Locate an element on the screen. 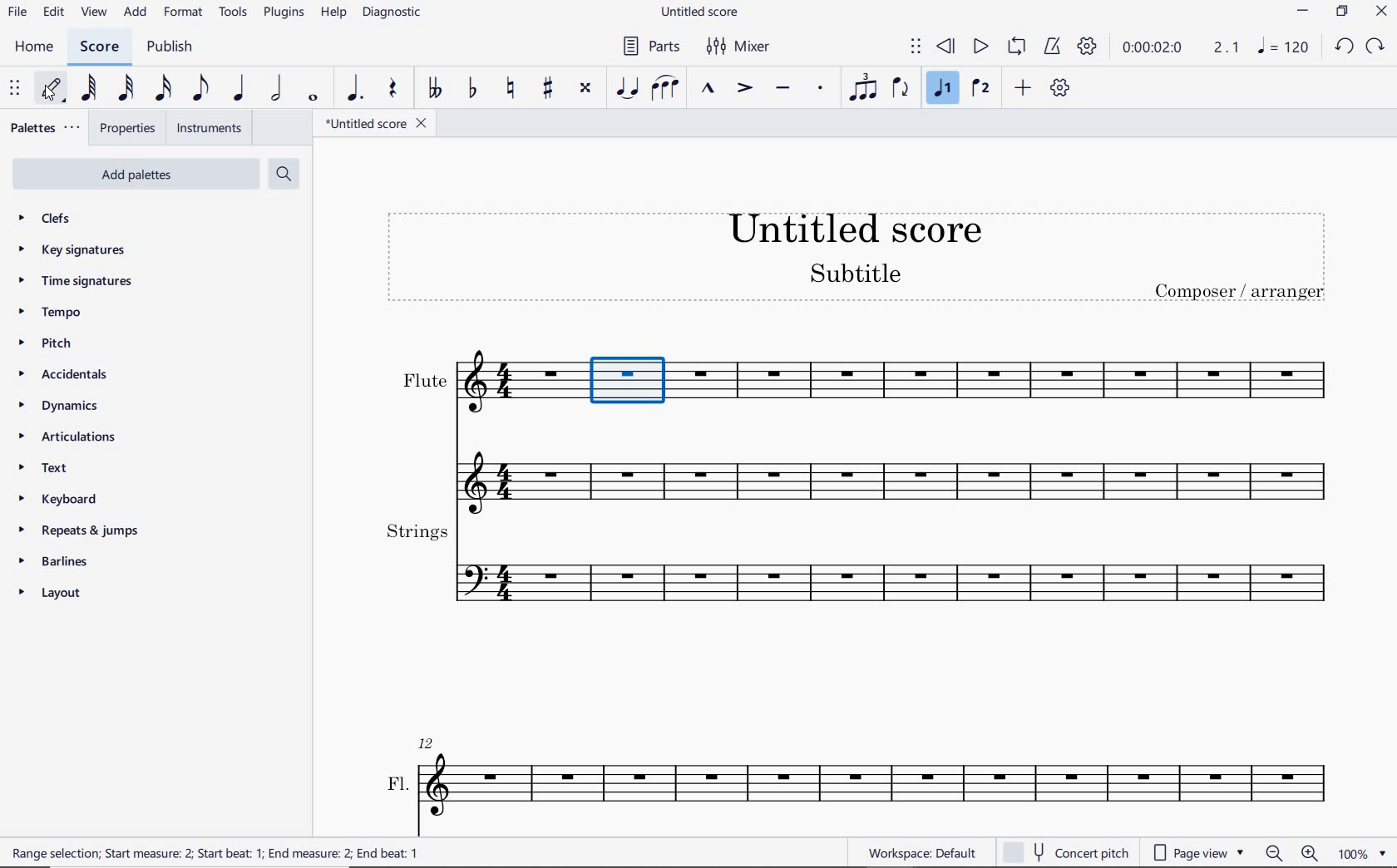  barlines is located at coordinates (63, 565).